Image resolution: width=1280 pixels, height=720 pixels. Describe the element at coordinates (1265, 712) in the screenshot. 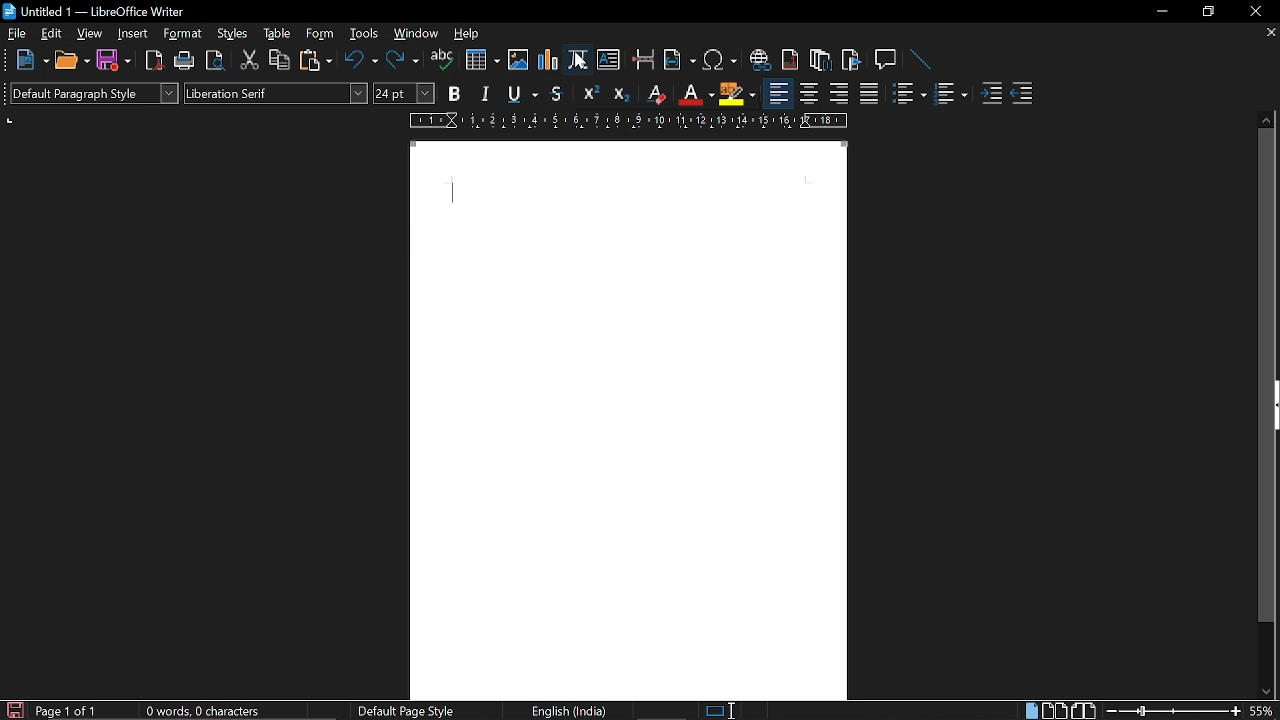

I see `current zoom` at that location.